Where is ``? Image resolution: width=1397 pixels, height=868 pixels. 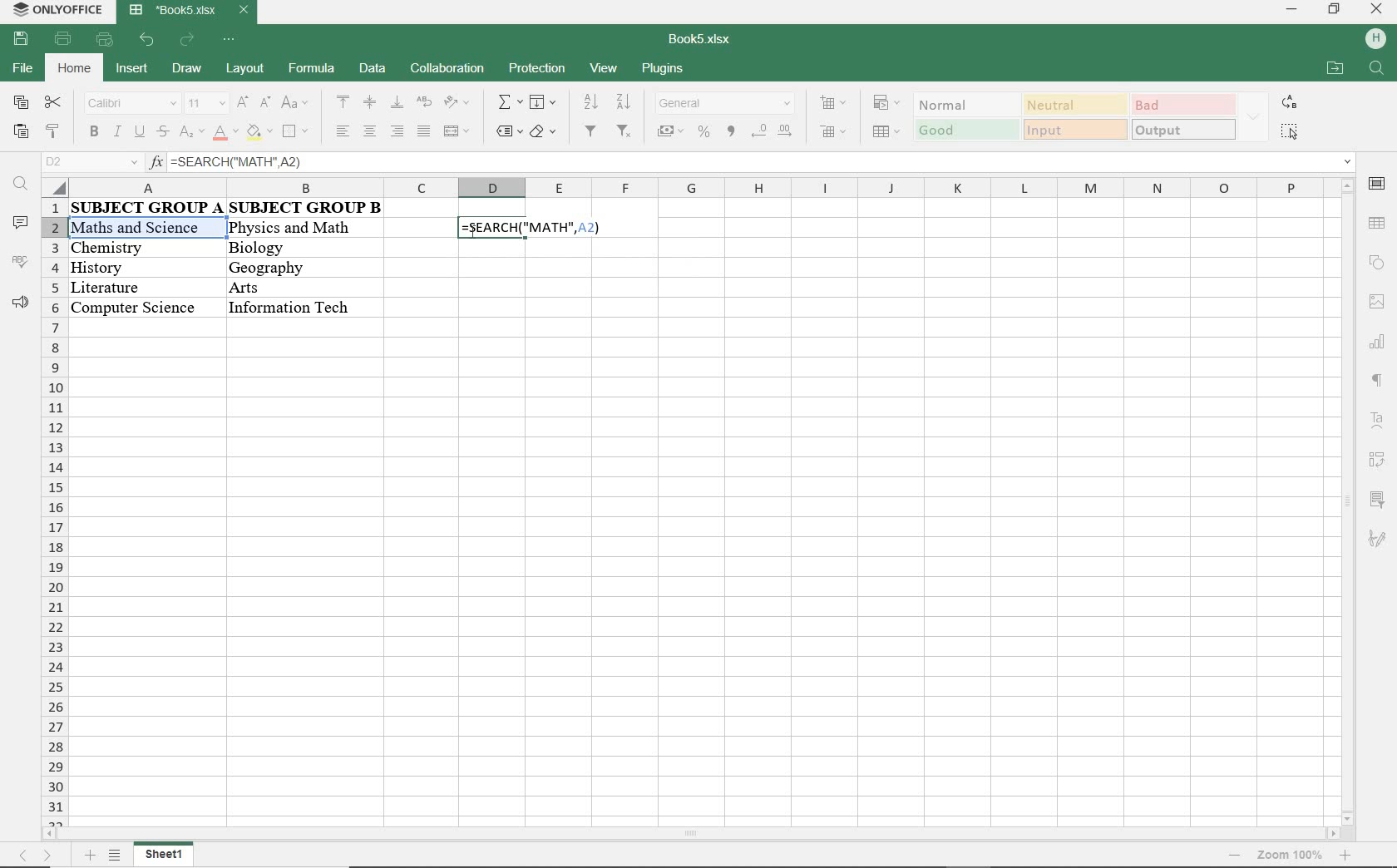  is located at coordinates (293, 307).